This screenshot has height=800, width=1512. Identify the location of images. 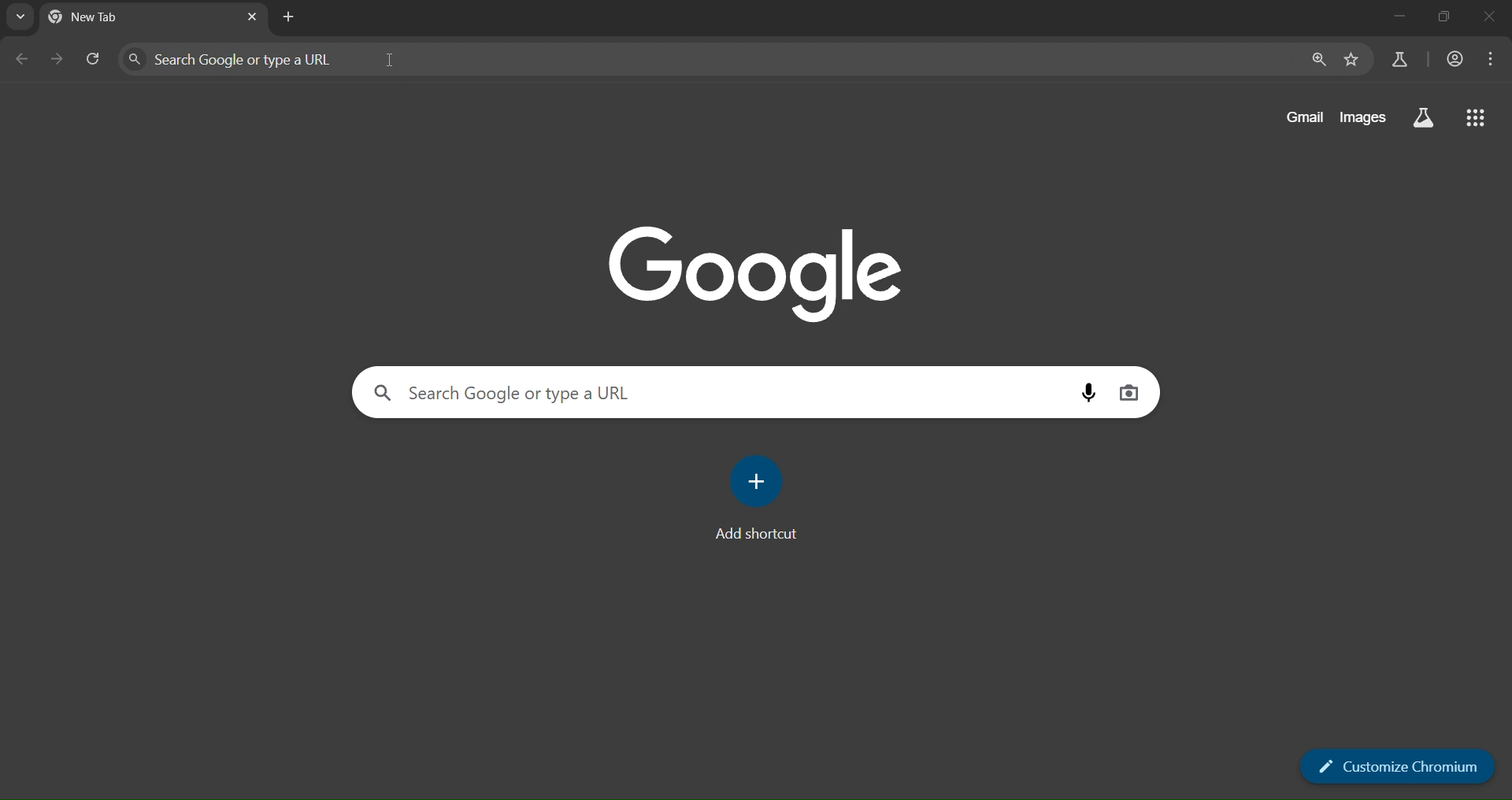
(1364, 117).